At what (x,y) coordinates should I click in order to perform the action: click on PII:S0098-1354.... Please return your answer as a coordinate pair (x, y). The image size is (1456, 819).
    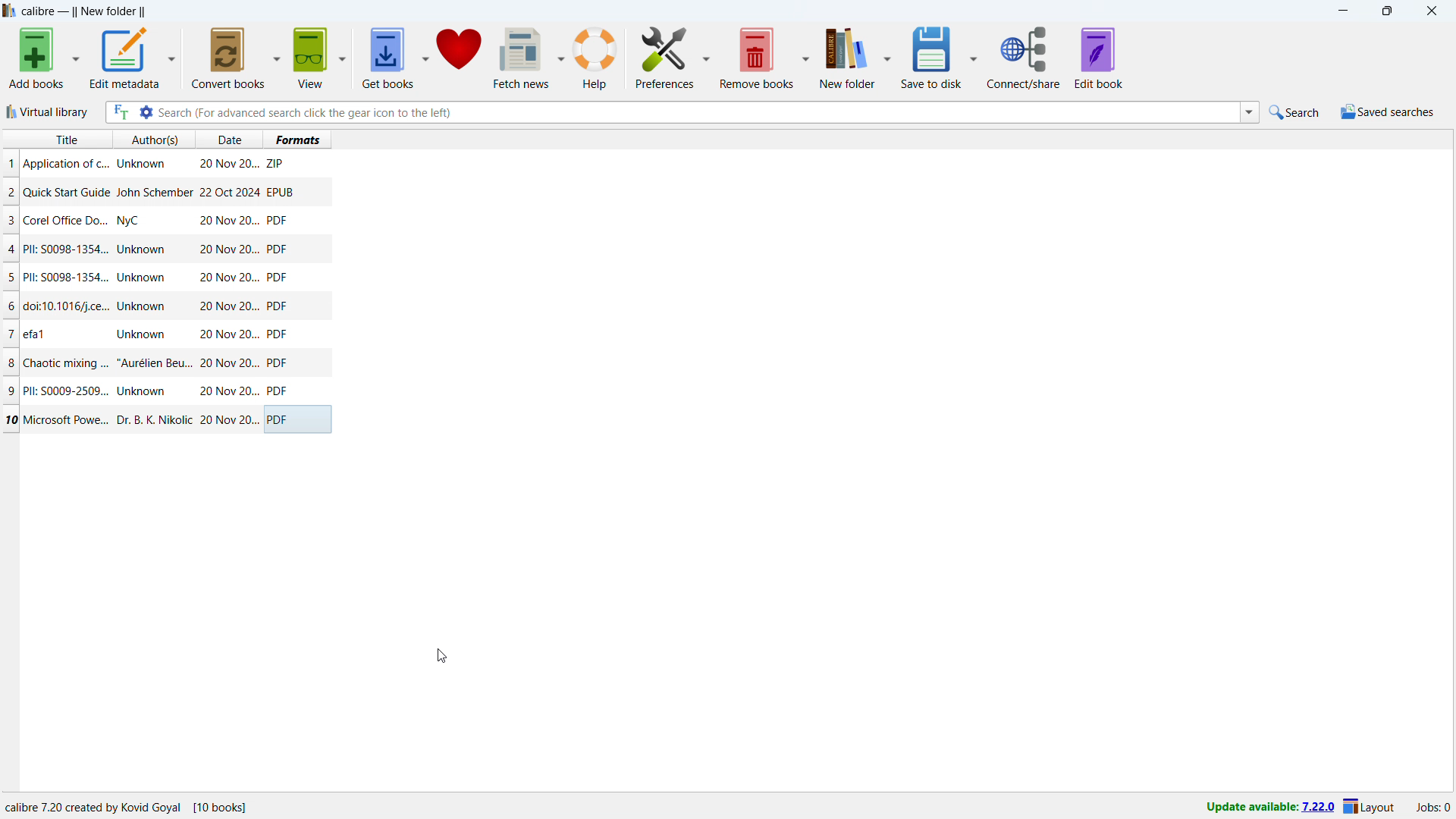
    Looking at the image, I should click on (66, 278).